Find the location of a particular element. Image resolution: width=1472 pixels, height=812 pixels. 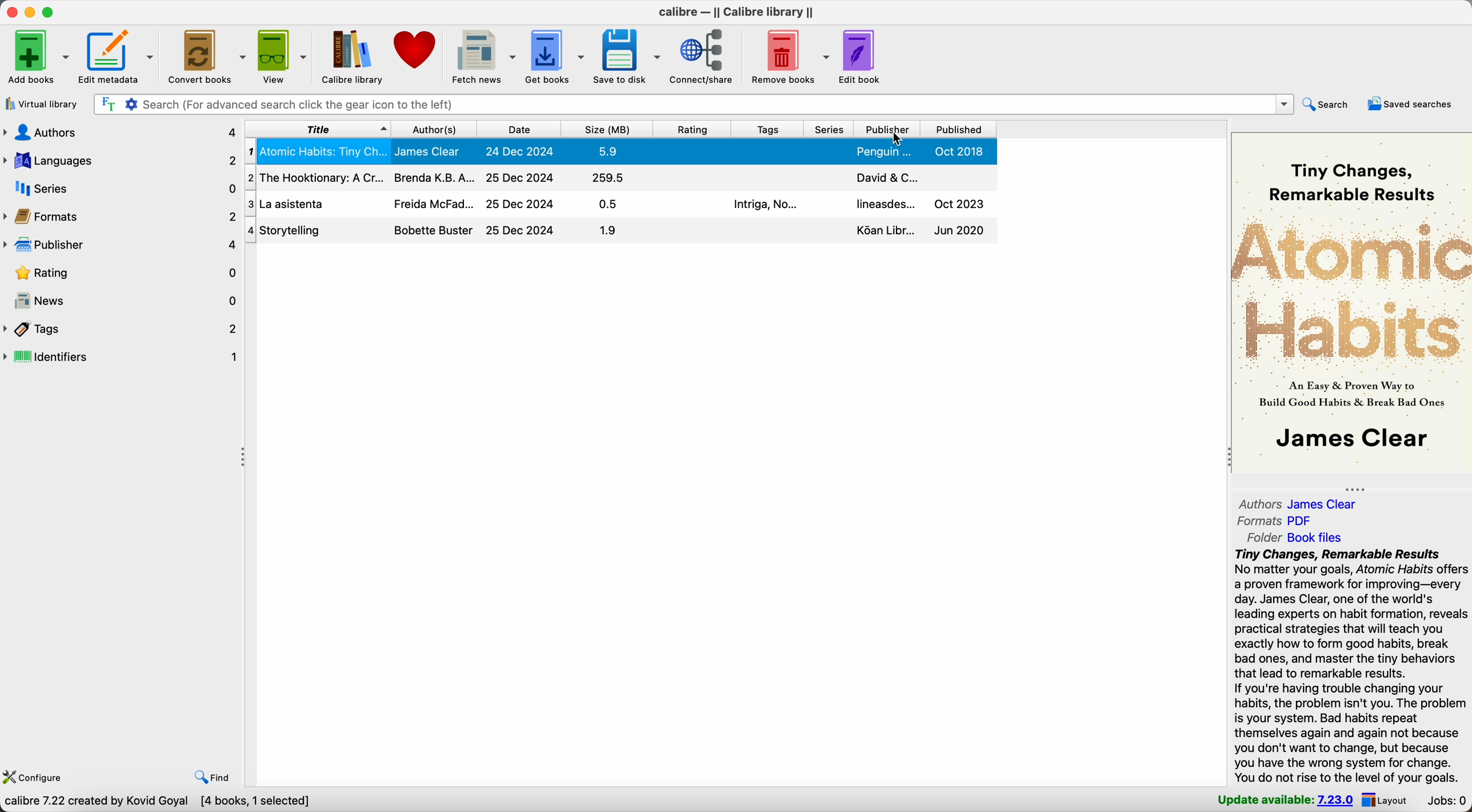

authors james clear is located at coordinates (1298, 504).